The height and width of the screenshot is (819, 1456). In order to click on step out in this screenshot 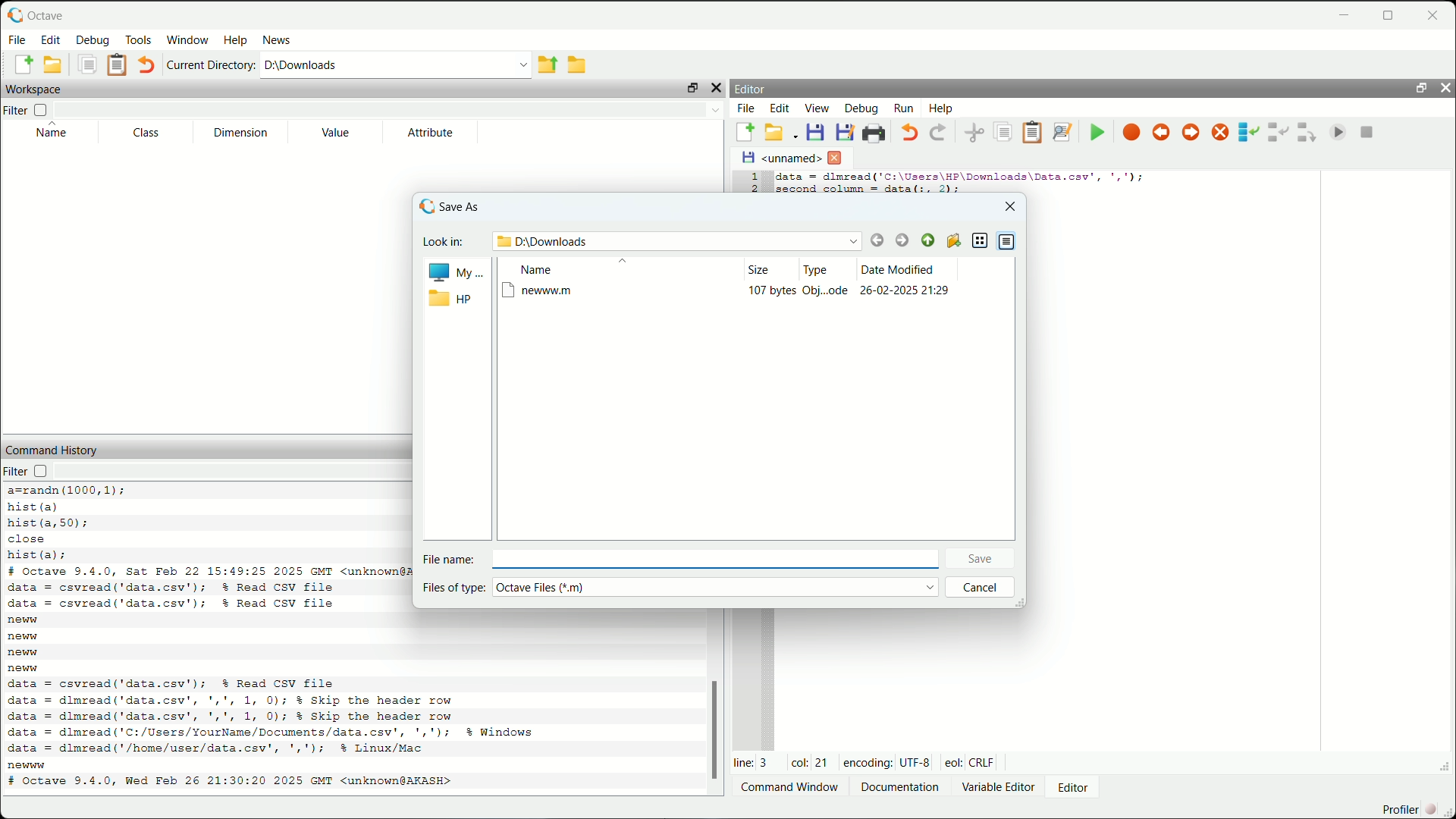, I will do `click(1305, 134)`.